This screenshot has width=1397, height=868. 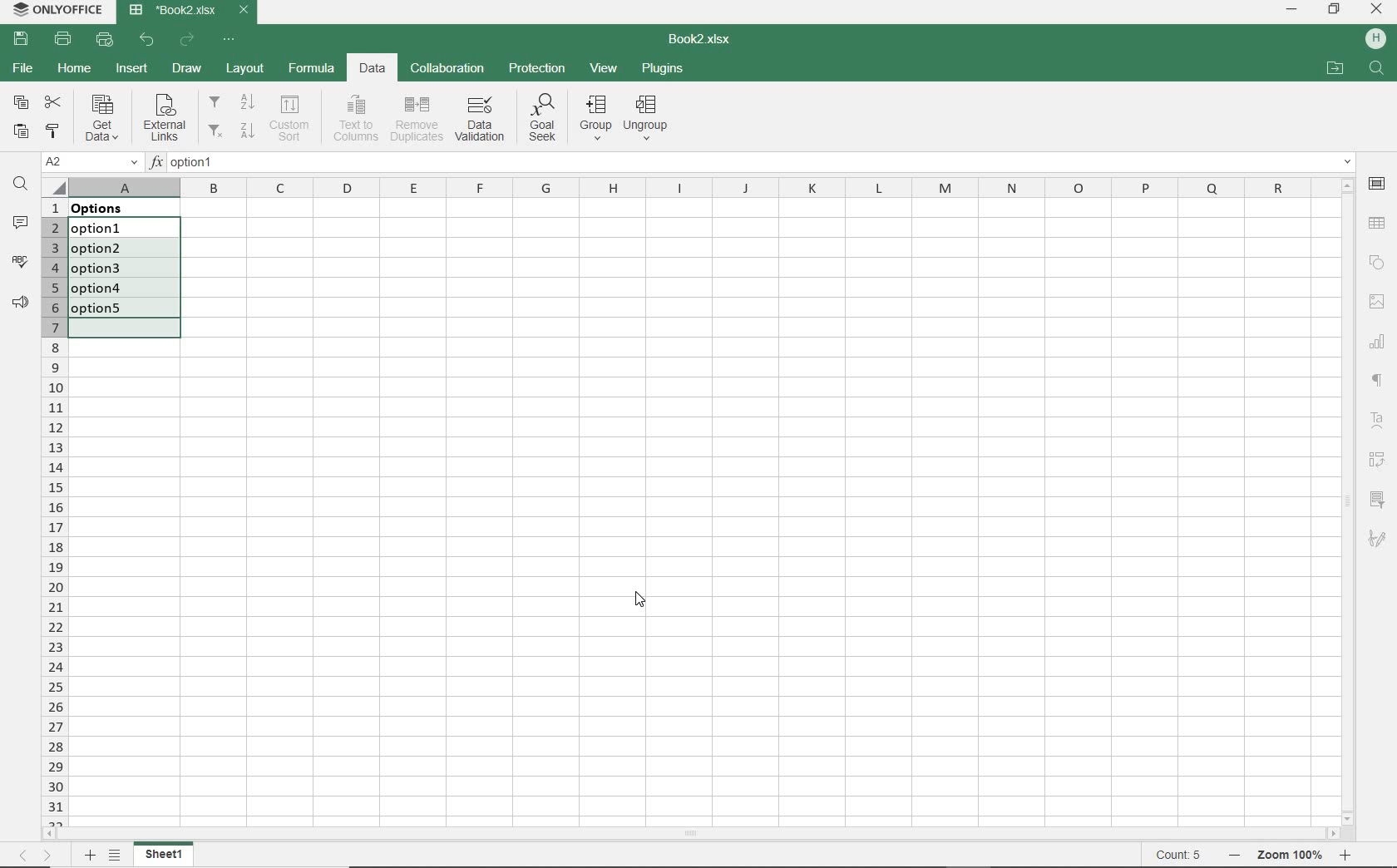 I want to click on CUSTOMIZE QUICK ACCESS TOOLBAR, so click(x=230, y=40).